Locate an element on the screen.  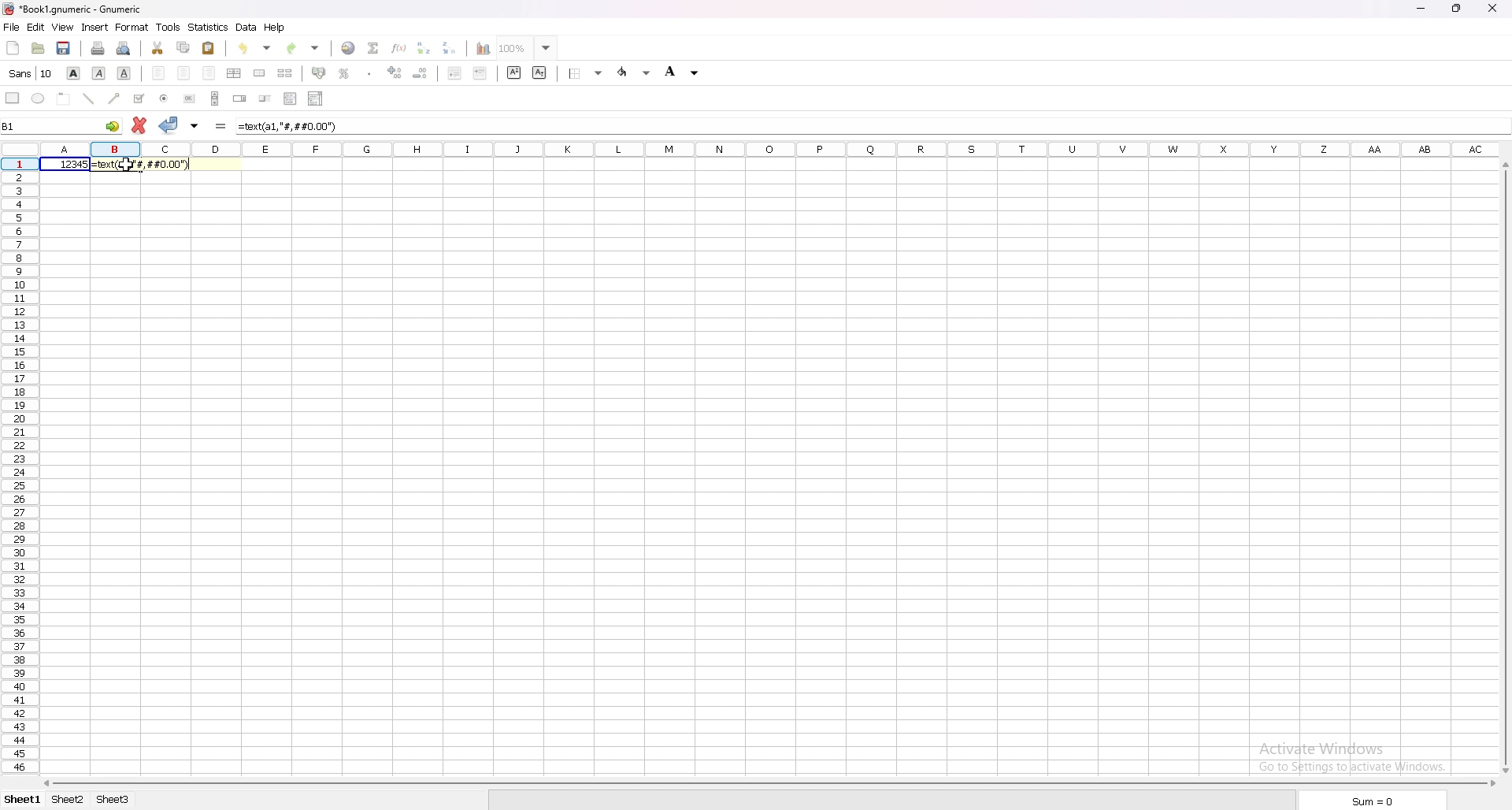
cancel changes is located at coordinates (139, 124).